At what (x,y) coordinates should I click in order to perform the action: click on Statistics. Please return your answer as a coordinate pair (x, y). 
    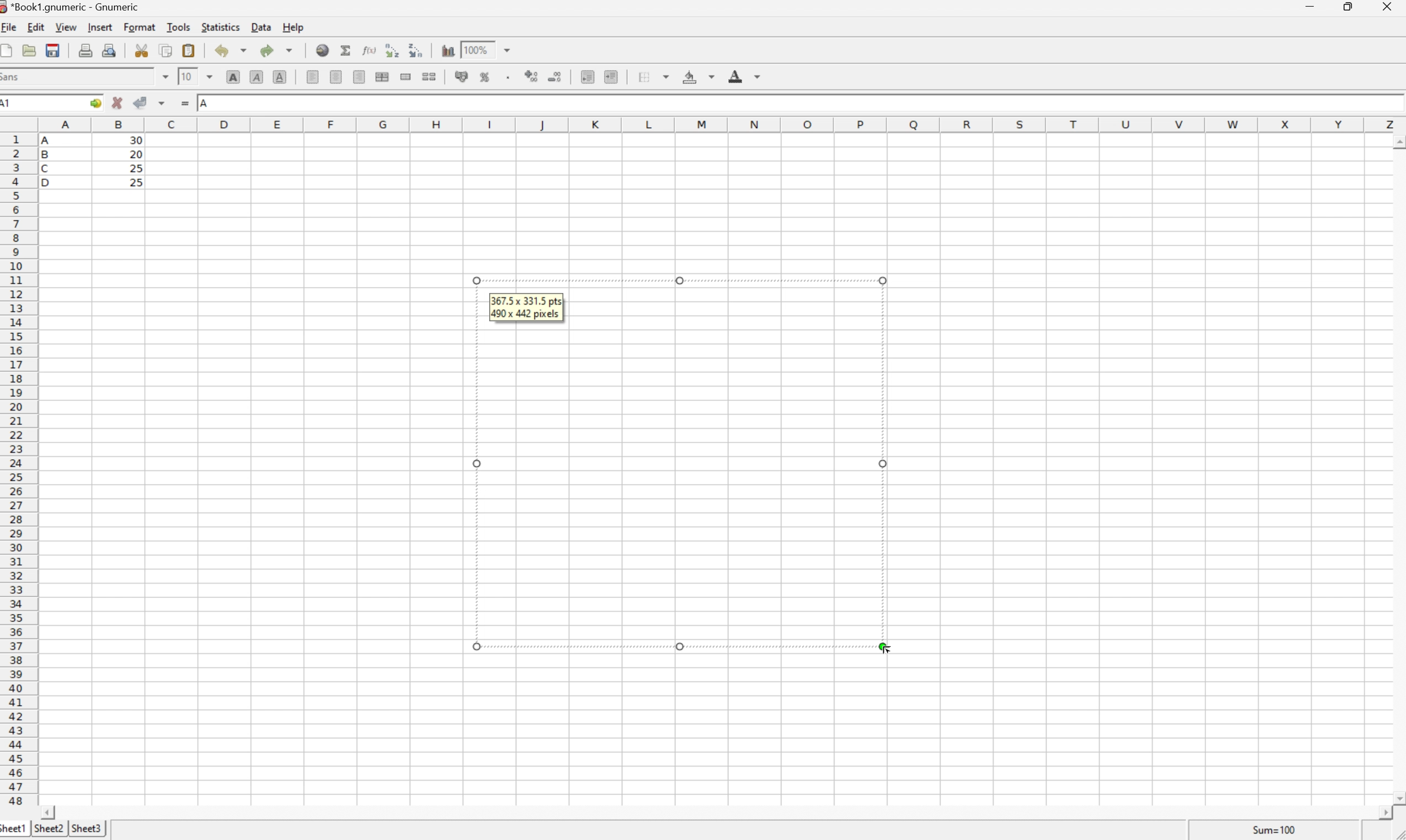
    Looking at the image, I should click on (221, 27).